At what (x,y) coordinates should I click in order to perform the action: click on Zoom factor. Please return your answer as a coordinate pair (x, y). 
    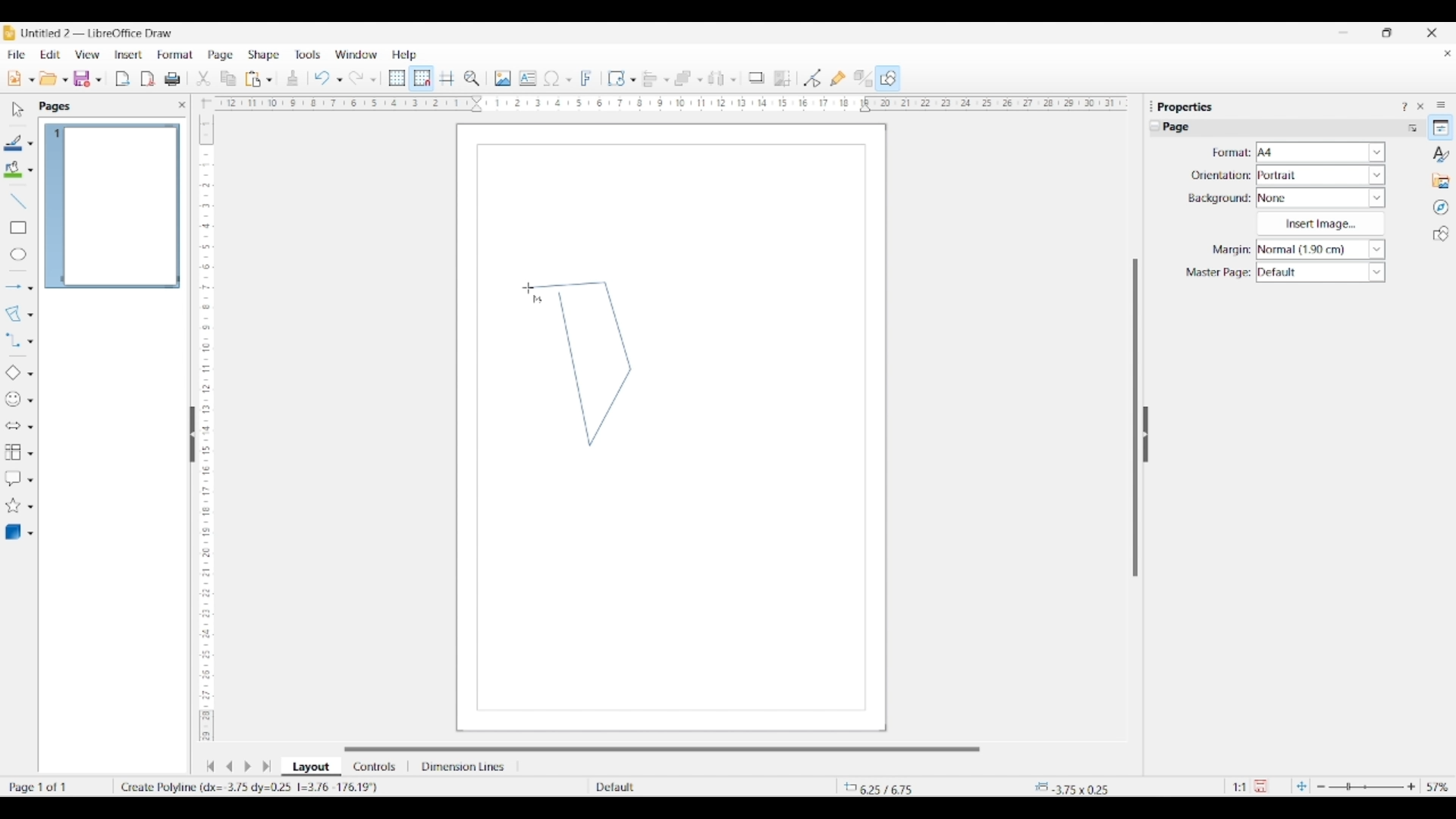
    Looking at the image, I should click on (1439, 787).